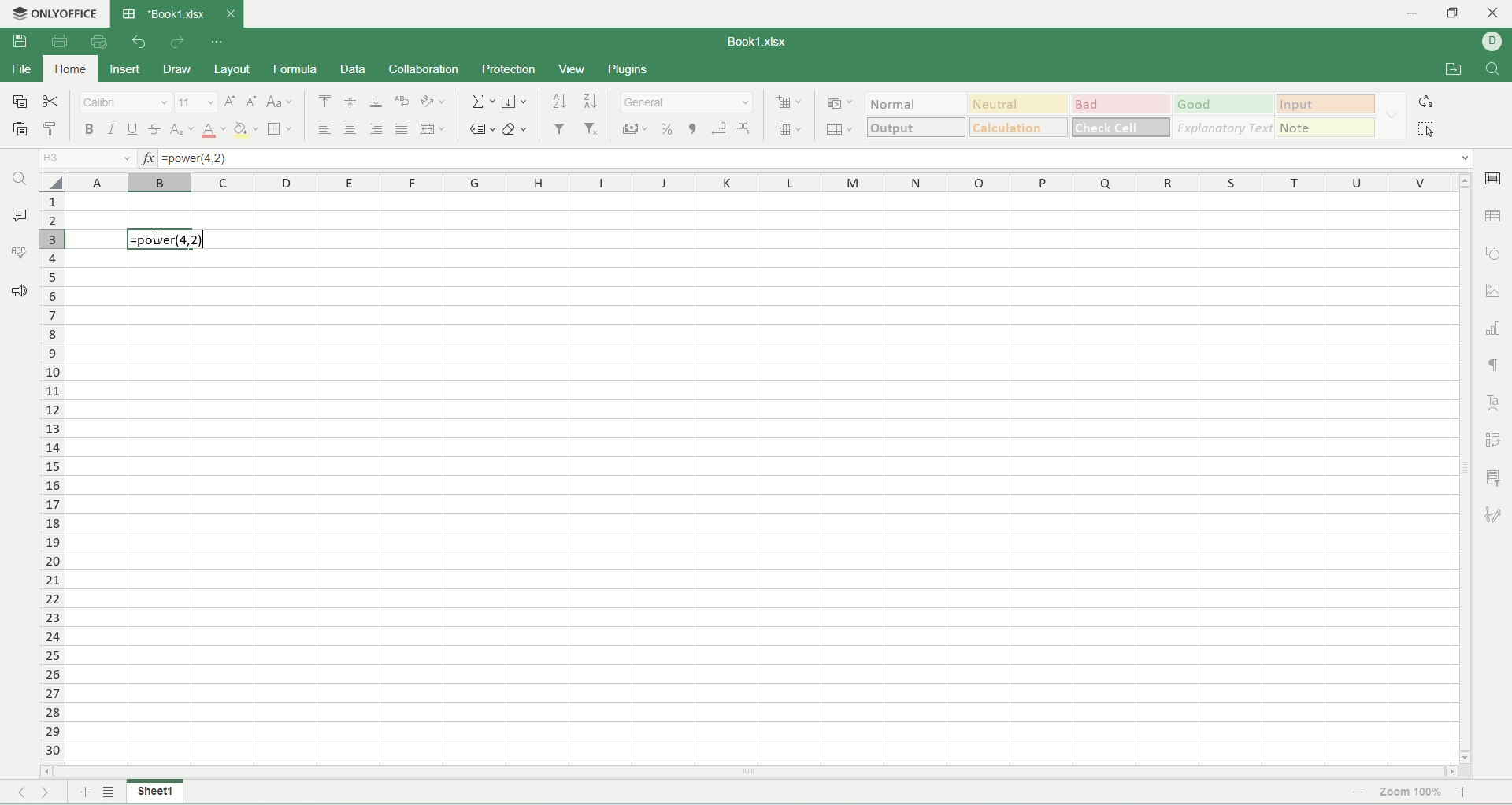 The height and width of the screenshot is (805, 1512). What do you see at coordinates (219, 42) in the screenshot?
I see `cutomize quick access` at bounding box center [219, 42].